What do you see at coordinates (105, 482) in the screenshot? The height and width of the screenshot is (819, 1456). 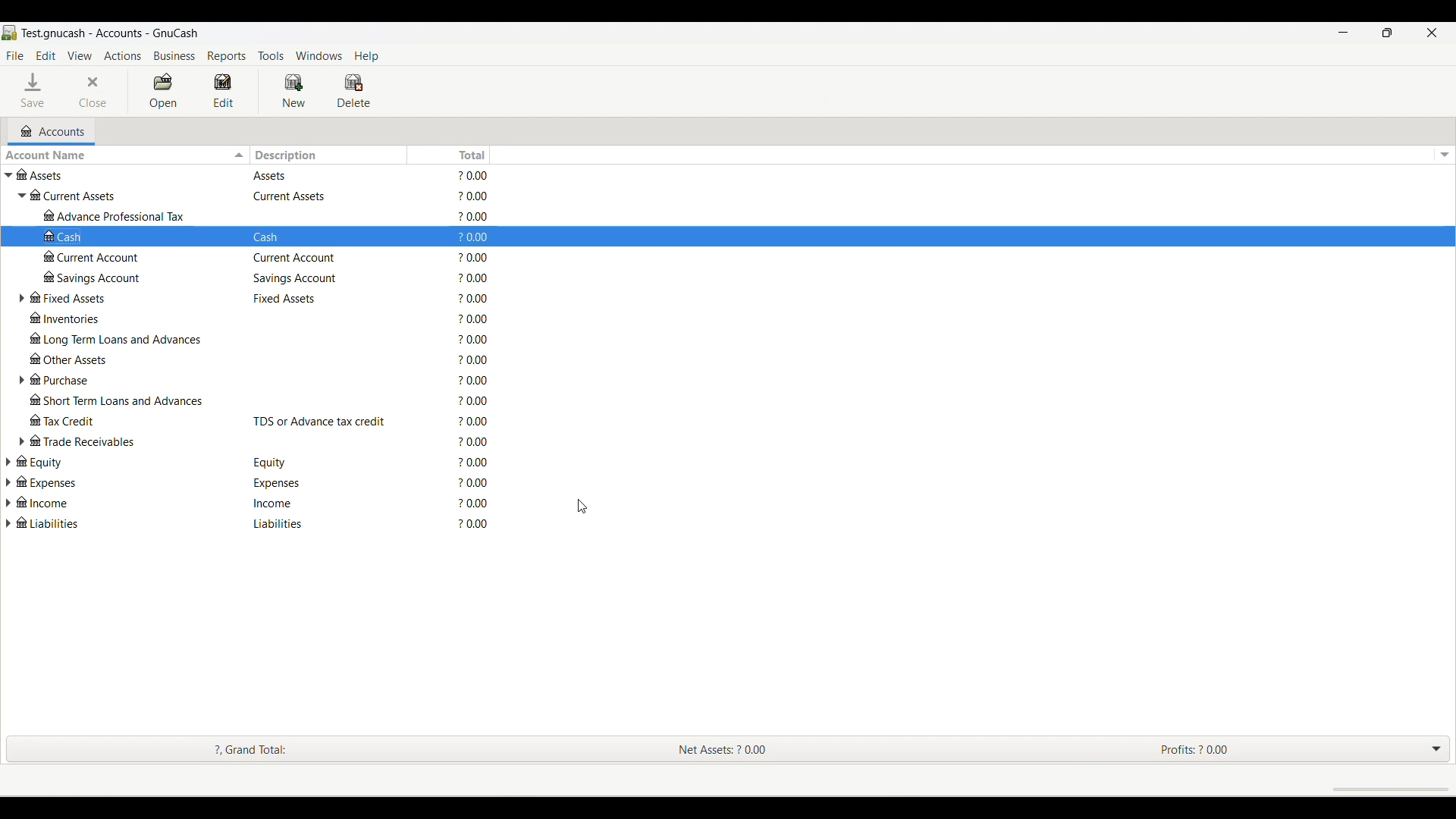 I see `Expenses` at bounding box center [105, 482].